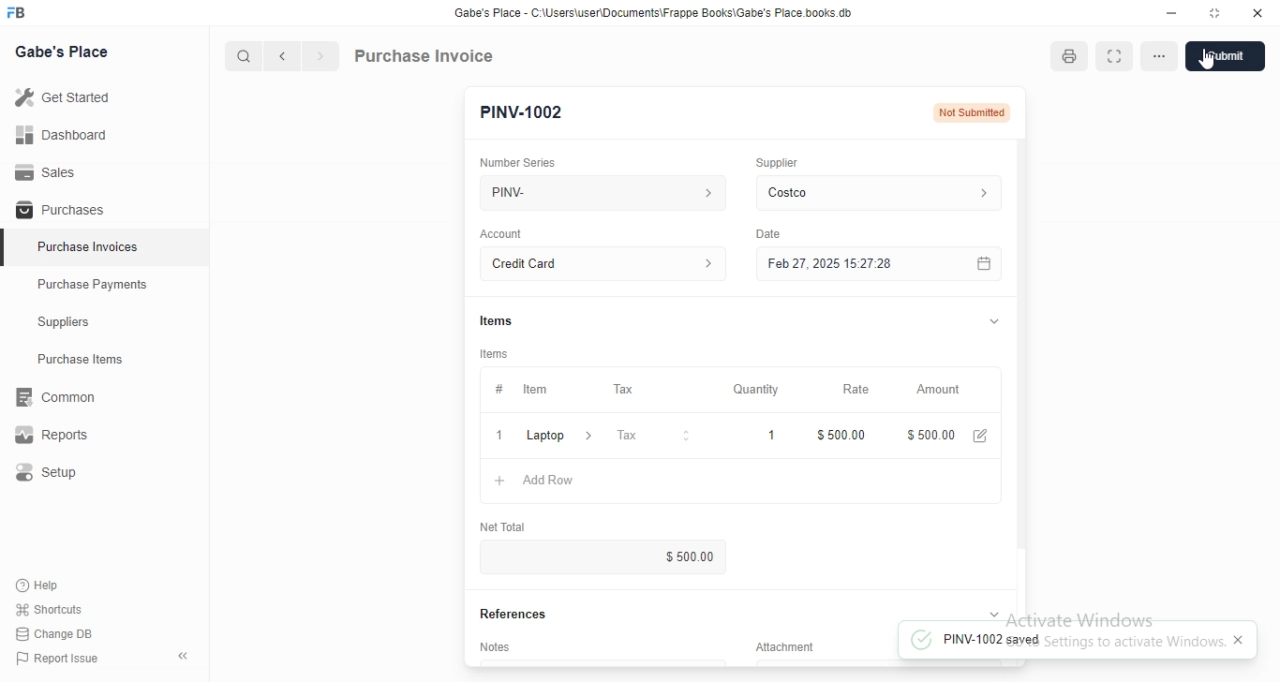 This screenshot has width=1280, height=682. Describe the element at coordinates (1115, 56) in the screenshot. I see `Toggle between form and full width` at that location.